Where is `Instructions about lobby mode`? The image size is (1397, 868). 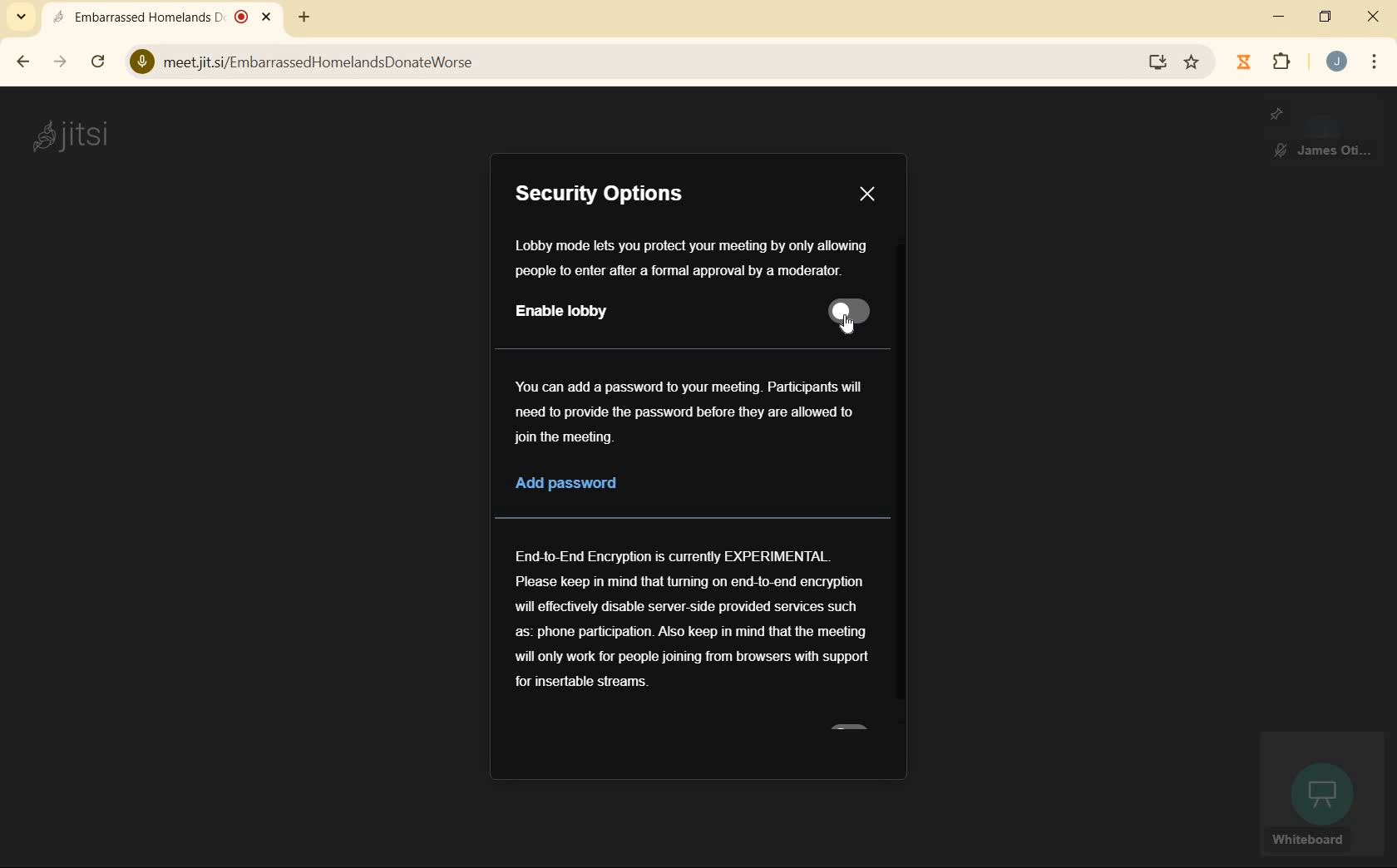 Instructions about lobby mode is located at coordinates (689, 259).